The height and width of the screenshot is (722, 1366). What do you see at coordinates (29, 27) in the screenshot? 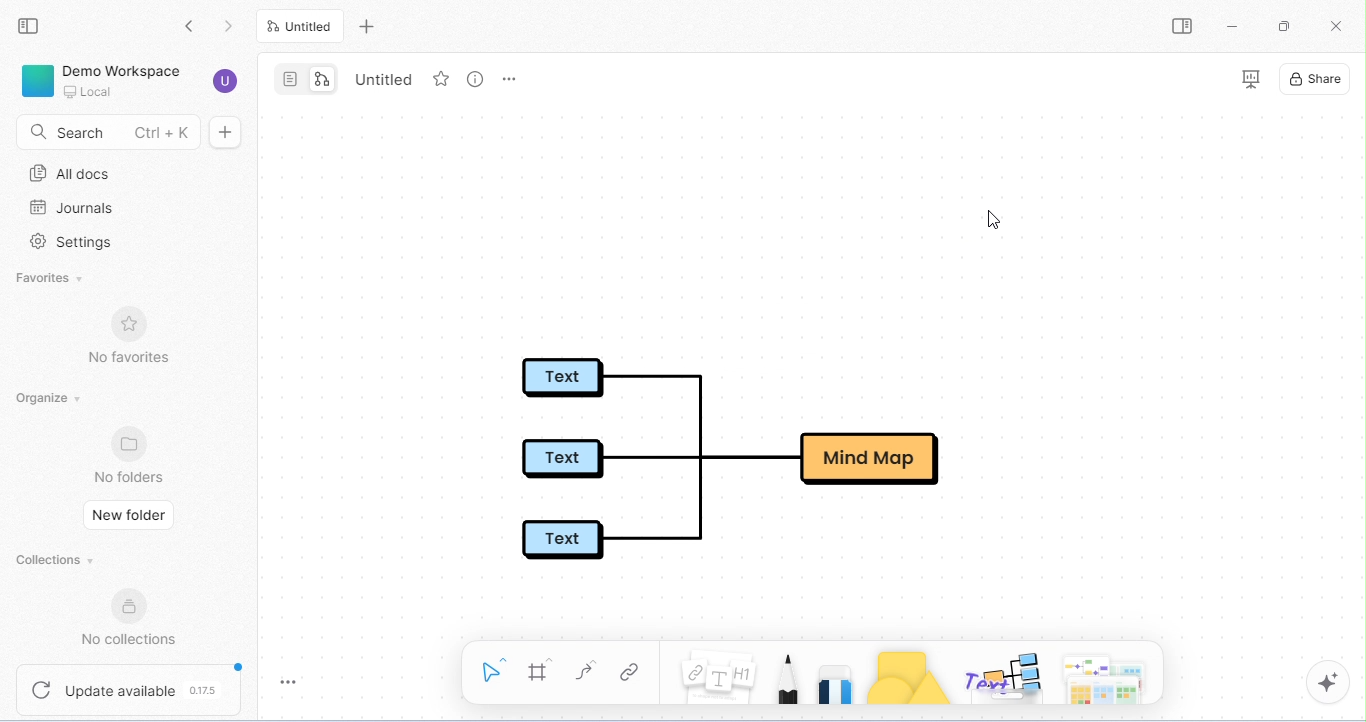
I see `close sidebar` at bounding box center [29, 27].